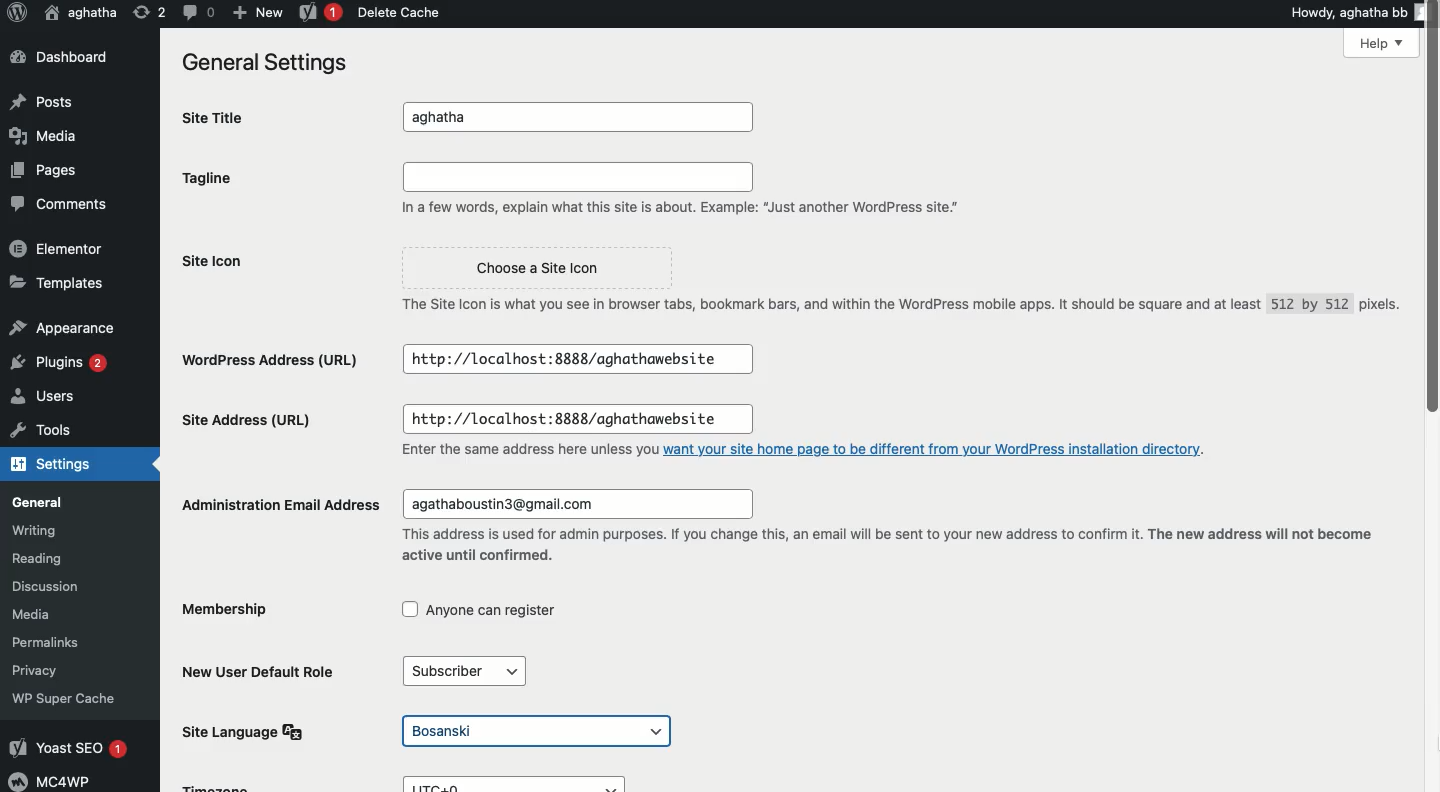 Image resolution: width=1440 pixels, height=792 pixels. I want to click on Post, so click(47, 99).